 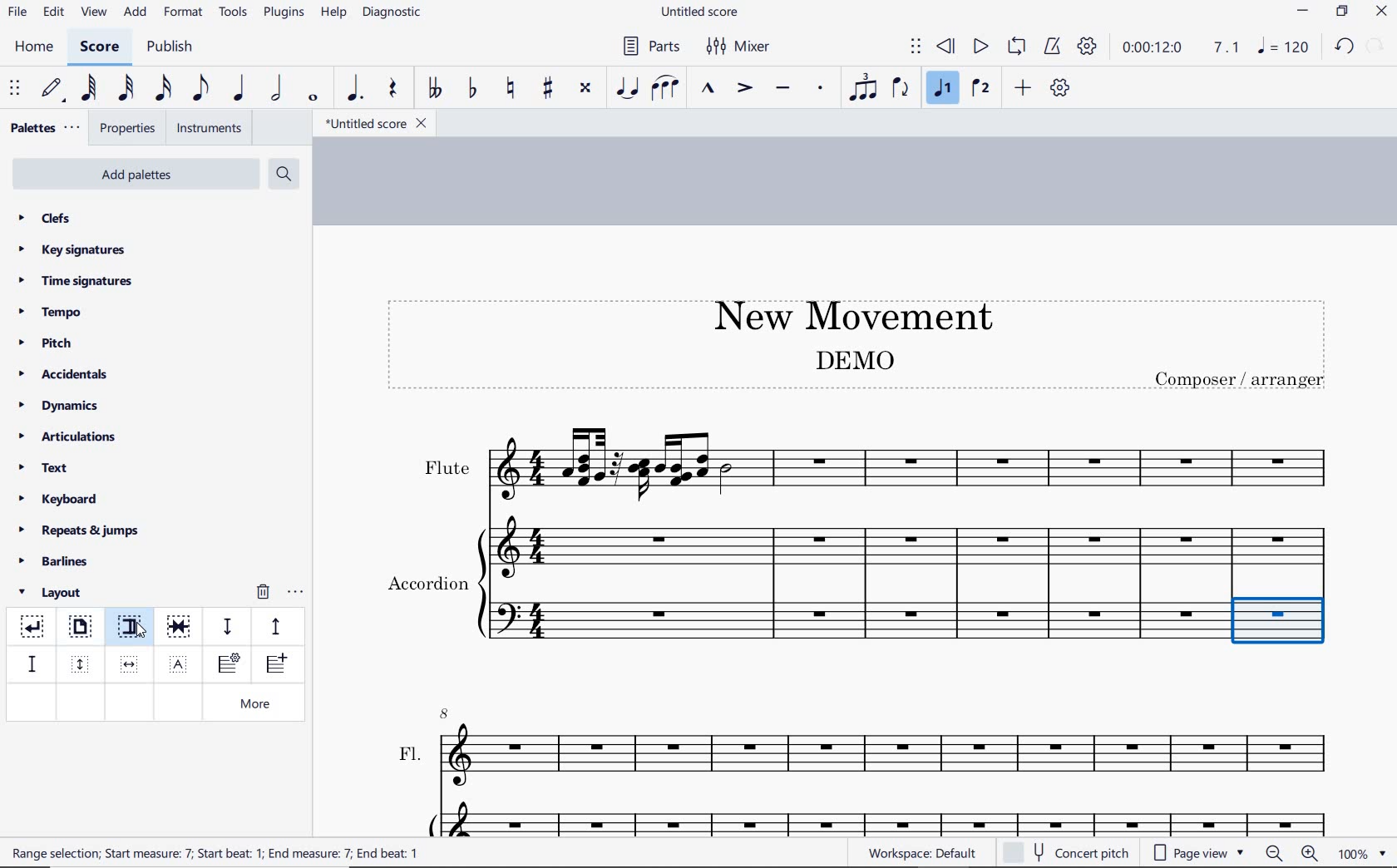 I want to click on tenuto, so click(x=782, y=89).